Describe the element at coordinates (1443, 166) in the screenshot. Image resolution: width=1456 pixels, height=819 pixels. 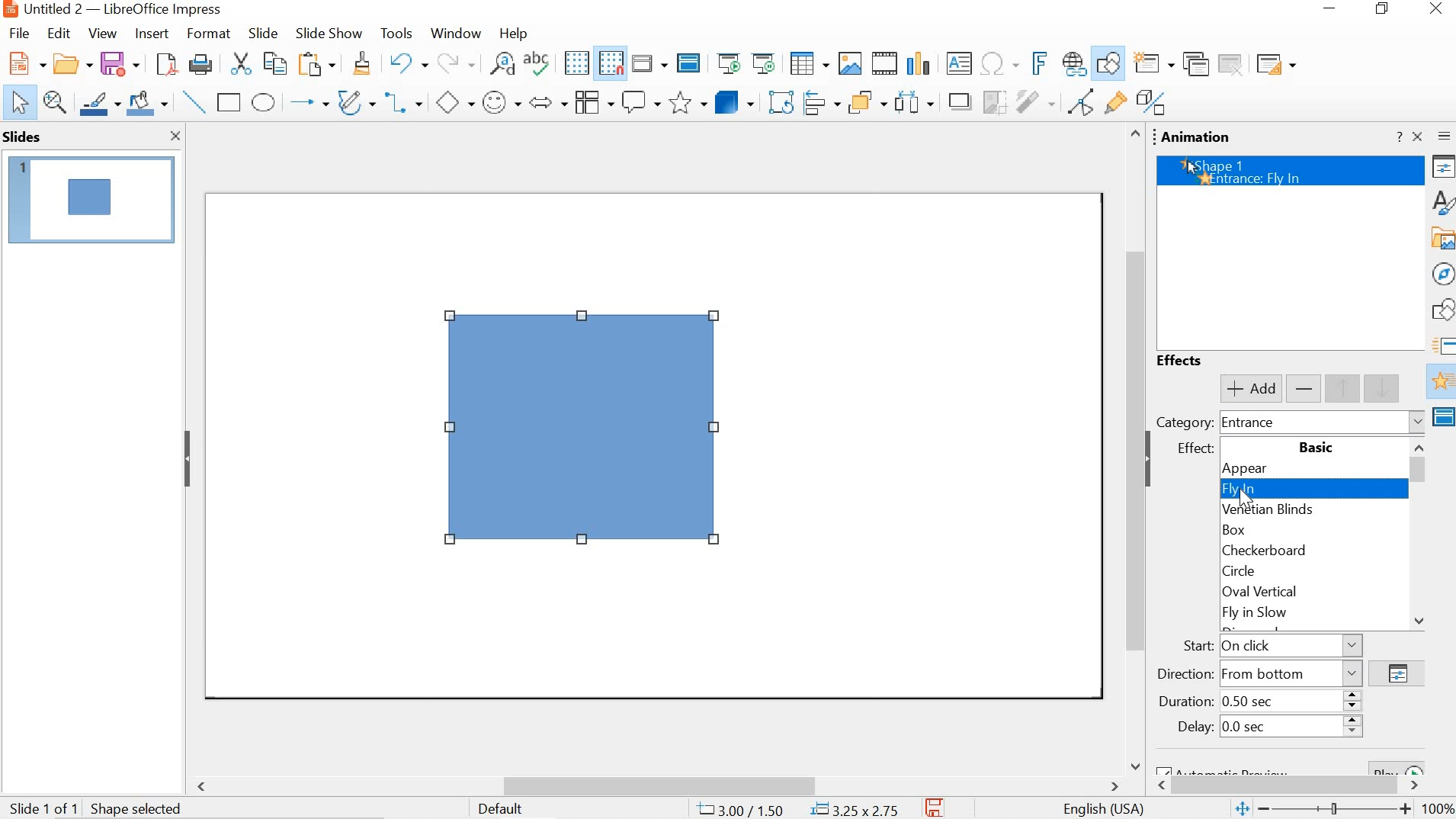
I see `properties` at that location.